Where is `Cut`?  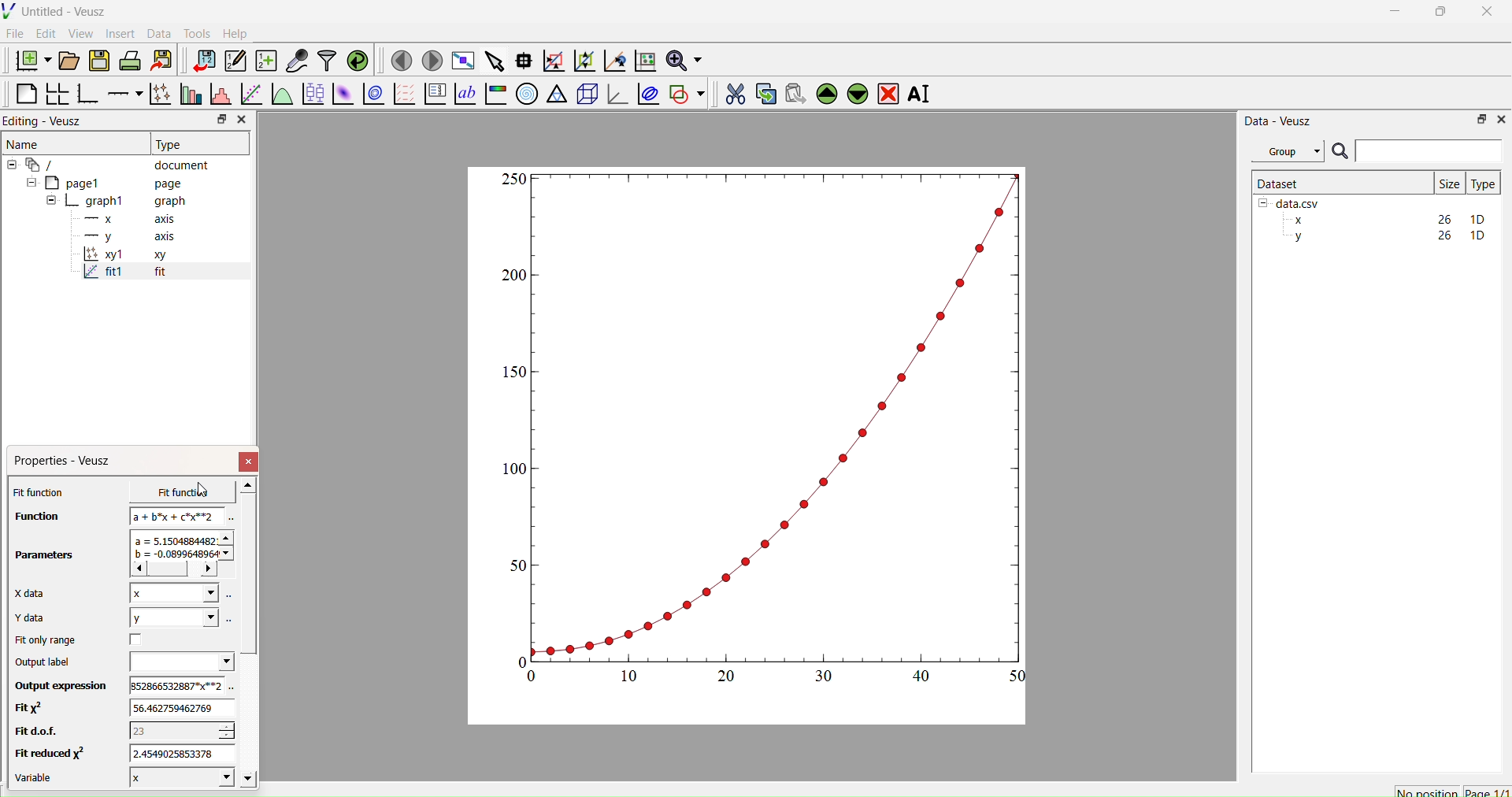
Cut is located at coordinates (730, 91).